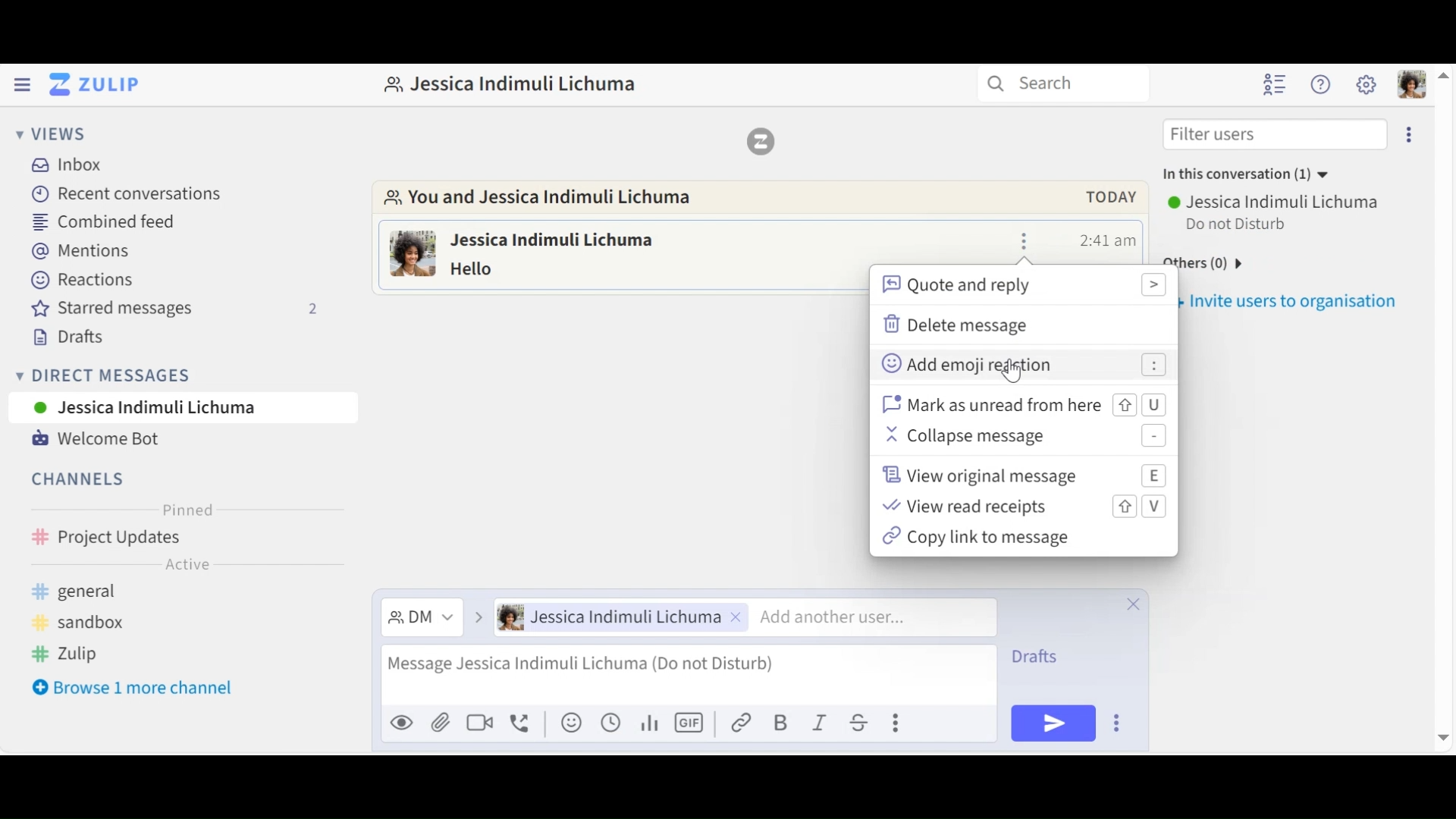  What do you see at coordinates (1061, 84) in the screenshot?
I see `search` at bounding box center [1061, 84].